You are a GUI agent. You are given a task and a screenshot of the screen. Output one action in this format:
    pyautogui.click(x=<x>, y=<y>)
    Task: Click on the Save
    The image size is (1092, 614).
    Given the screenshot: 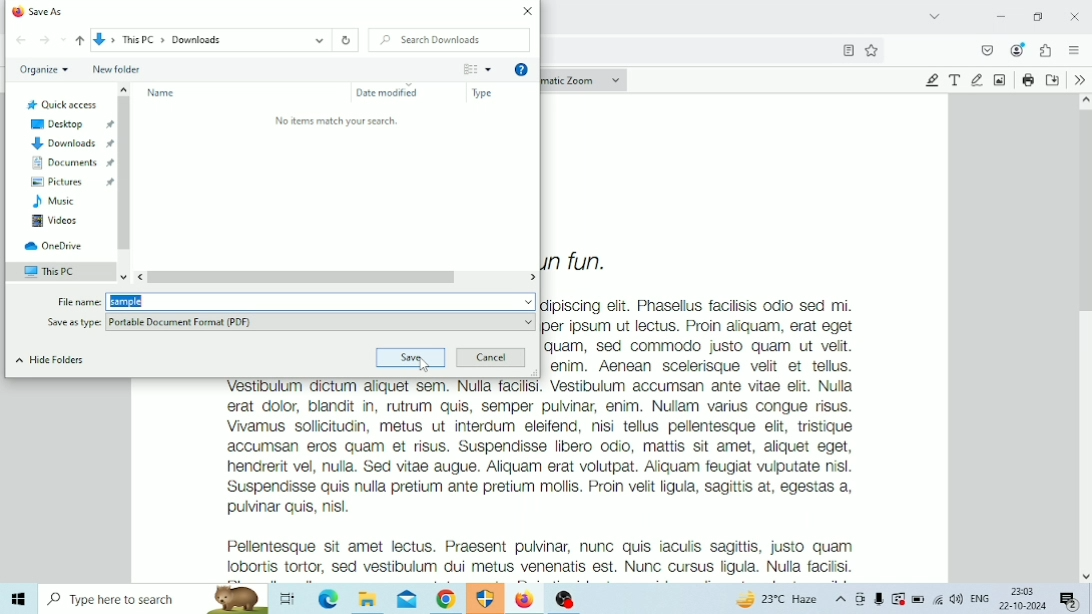 What is the action you would take?
    pyautogui.click(x=1053, y=80)
    